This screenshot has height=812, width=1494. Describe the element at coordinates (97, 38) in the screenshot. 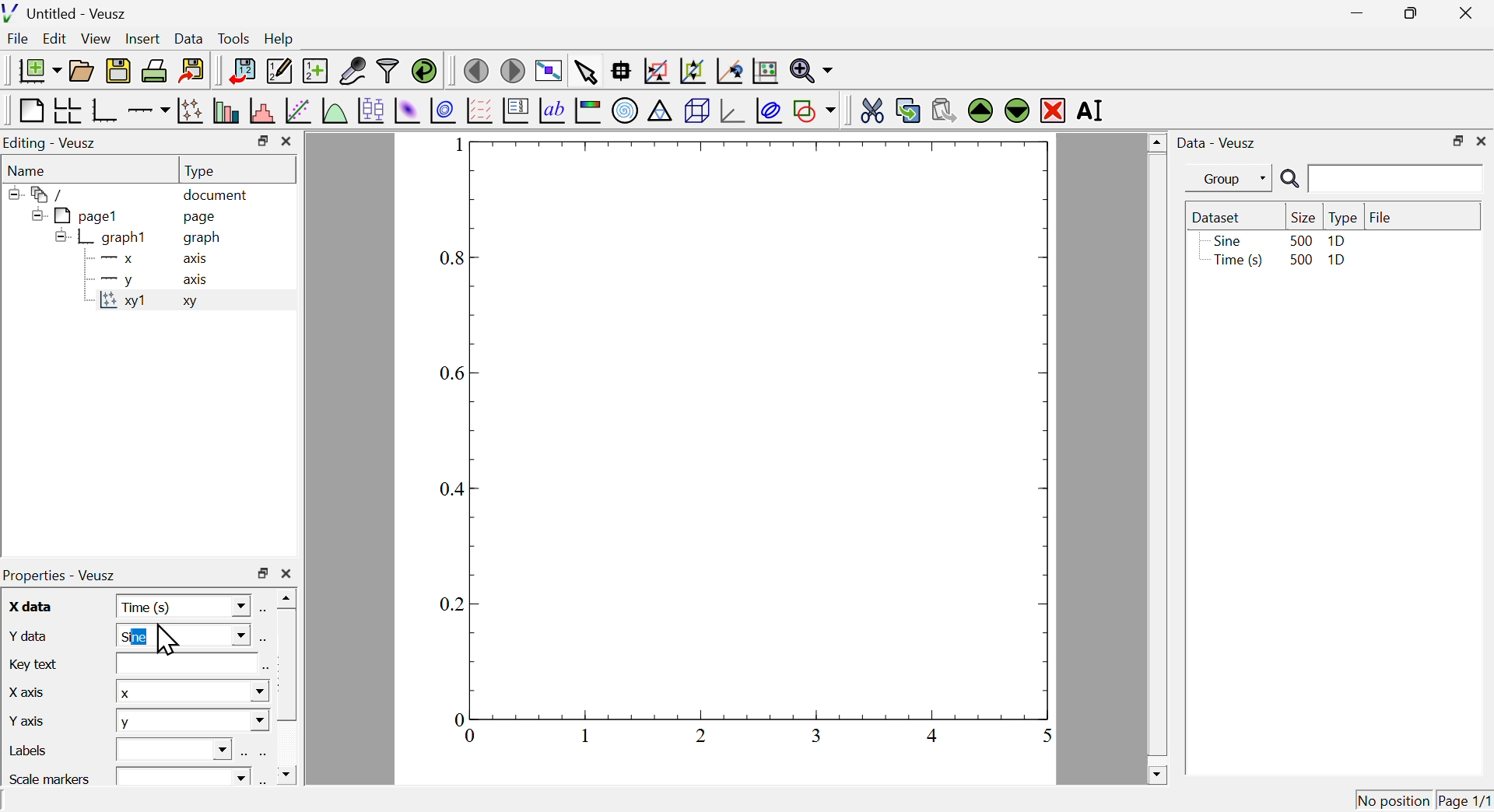

I see `view` at that location.